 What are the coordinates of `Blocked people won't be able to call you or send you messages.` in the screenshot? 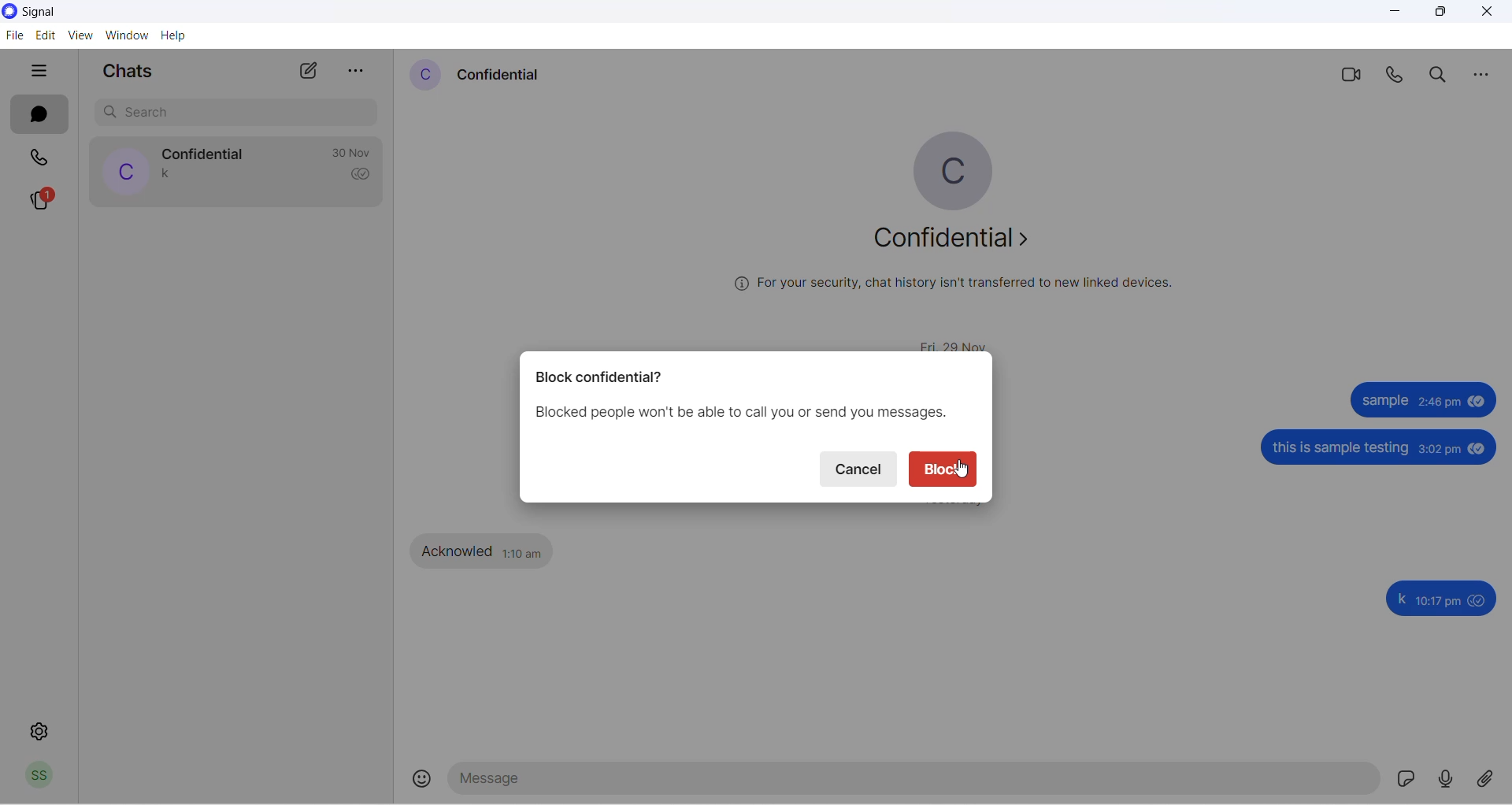 It's located at (740, 412).